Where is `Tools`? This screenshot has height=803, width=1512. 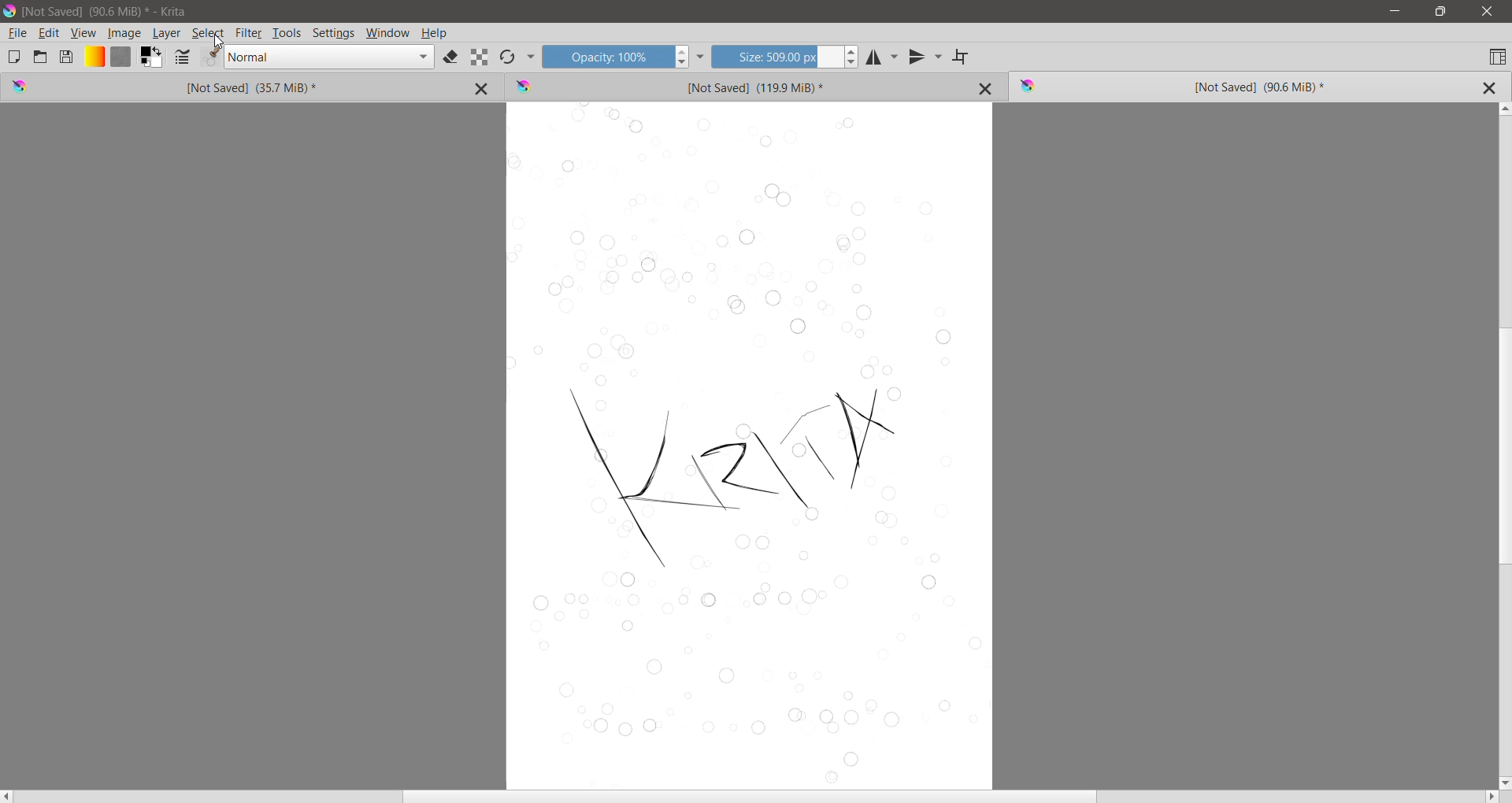 Tools is located at coordinates (287, 34).